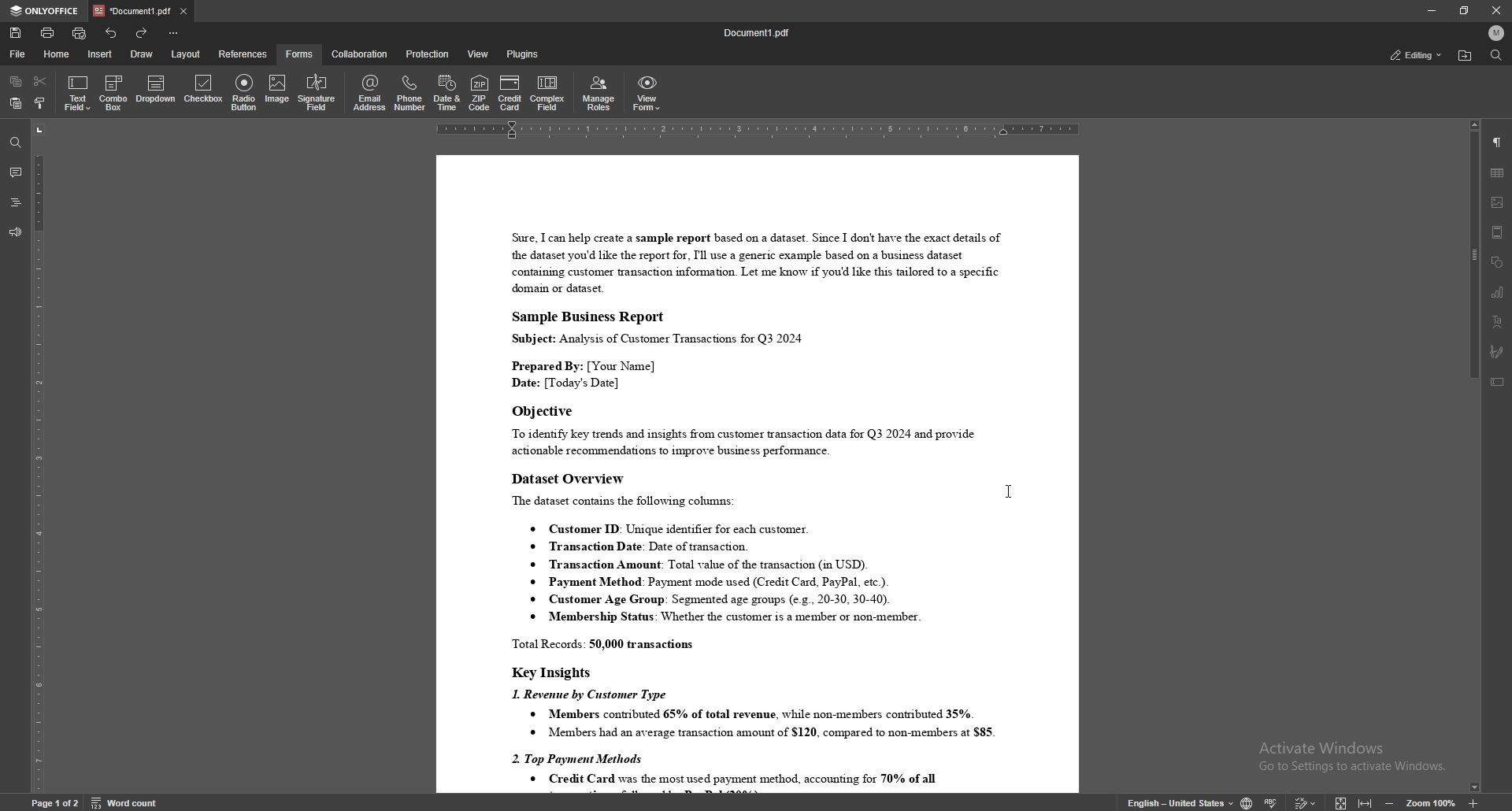 Image resolution: width=1512 pixels, height=811 pixels. Describe the element at coordinates (78, 93) in the screenshot. I see `text field` at that location.